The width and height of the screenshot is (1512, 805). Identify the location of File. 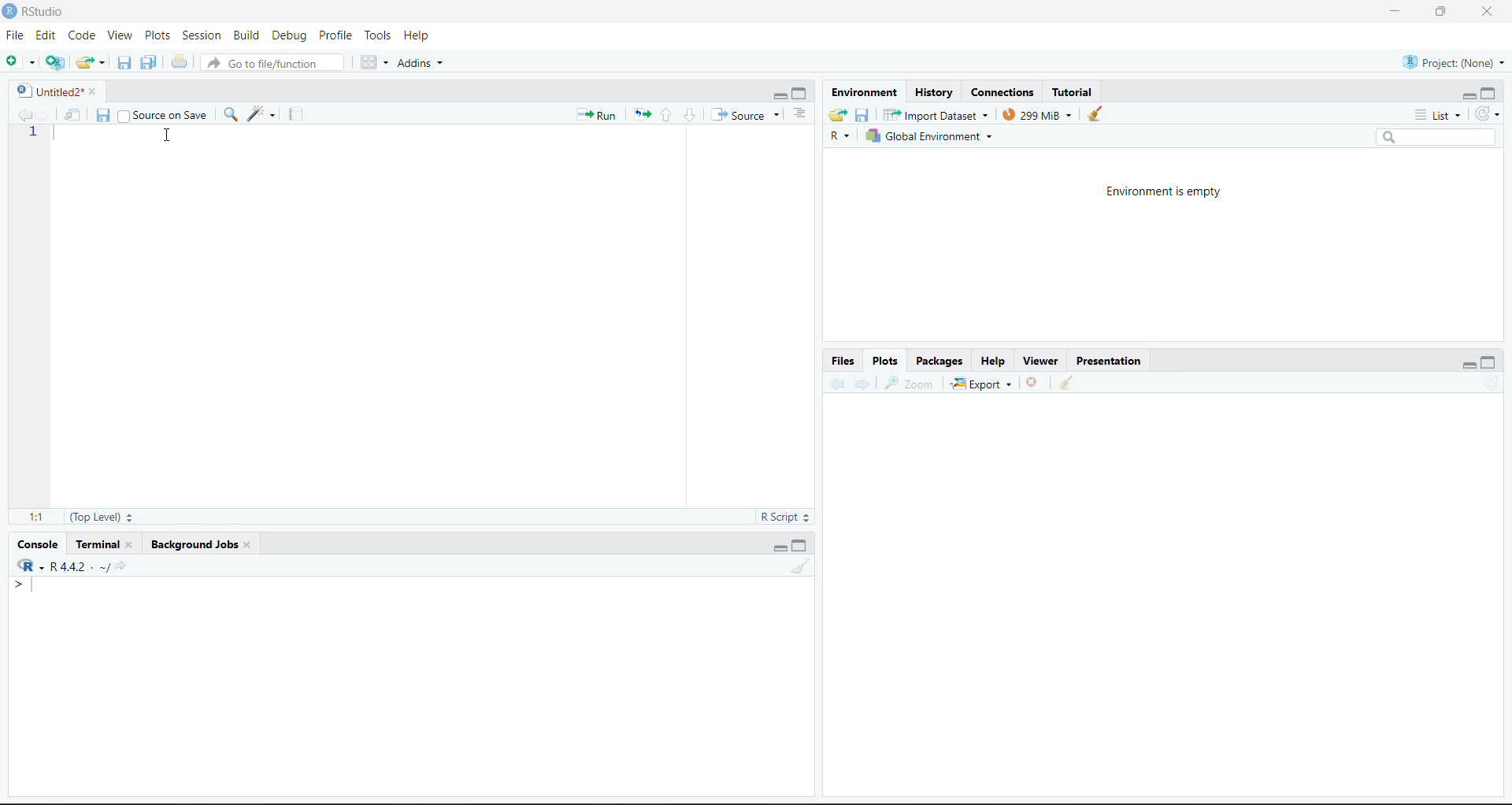
(17, 35).